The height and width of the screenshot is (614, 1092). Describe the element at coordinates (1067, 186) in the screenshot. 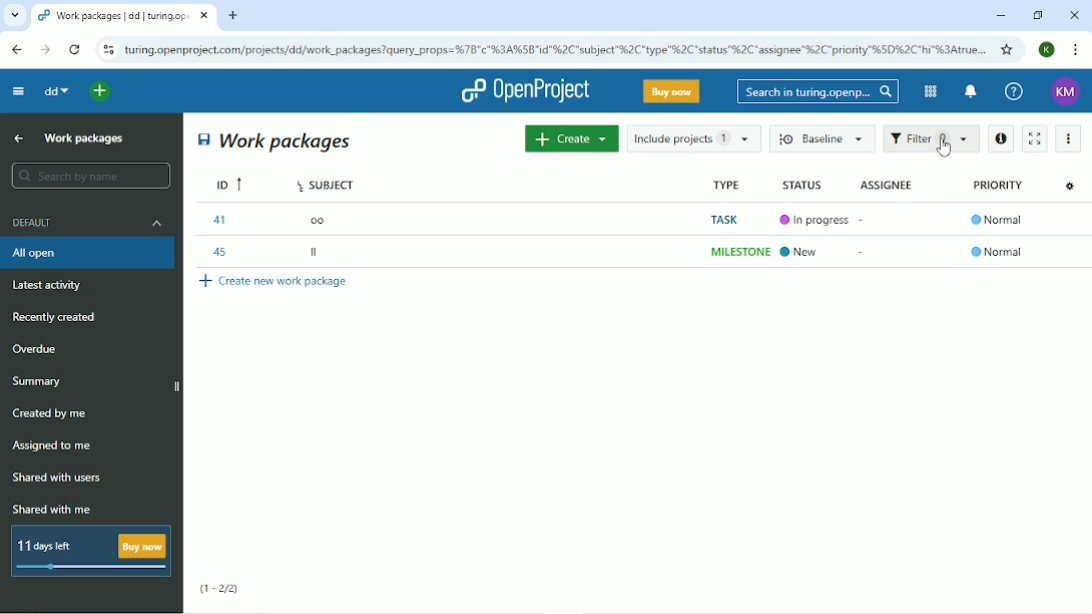

I see `Configure view` at that location.